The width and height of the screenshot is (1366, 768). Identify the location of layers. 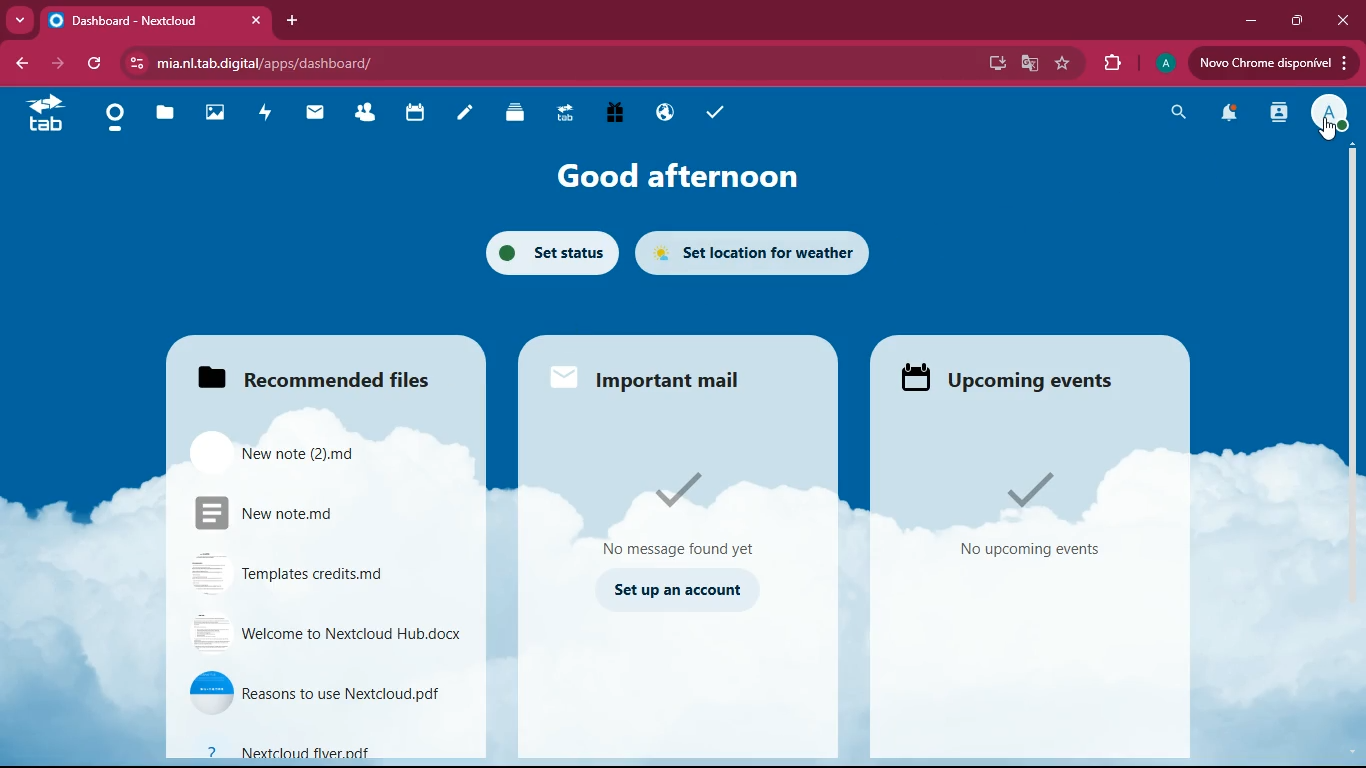
(510, 115).